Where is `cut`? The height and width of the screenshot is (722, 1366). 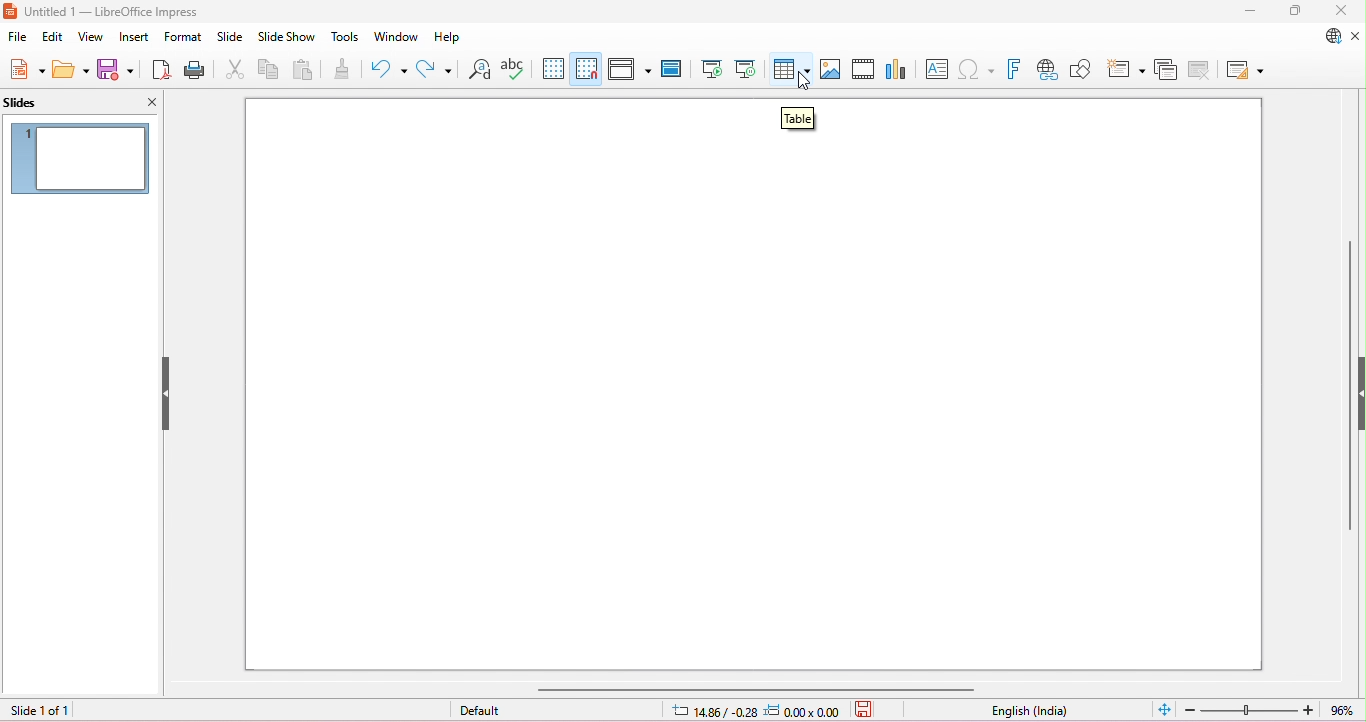 cut is located at coordinates (237, 71).